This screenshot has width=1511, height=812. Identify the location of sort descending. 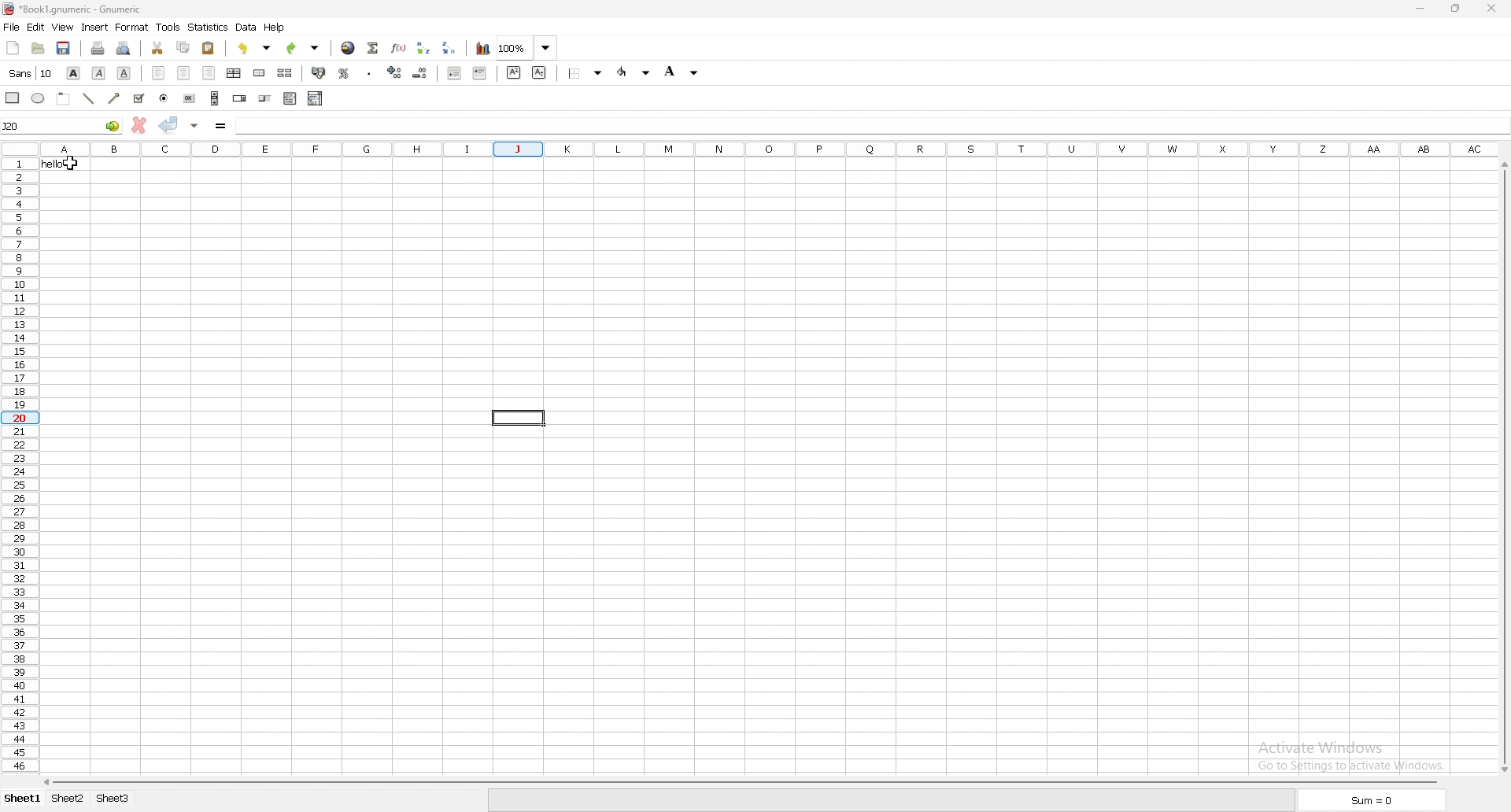
(448, 48).